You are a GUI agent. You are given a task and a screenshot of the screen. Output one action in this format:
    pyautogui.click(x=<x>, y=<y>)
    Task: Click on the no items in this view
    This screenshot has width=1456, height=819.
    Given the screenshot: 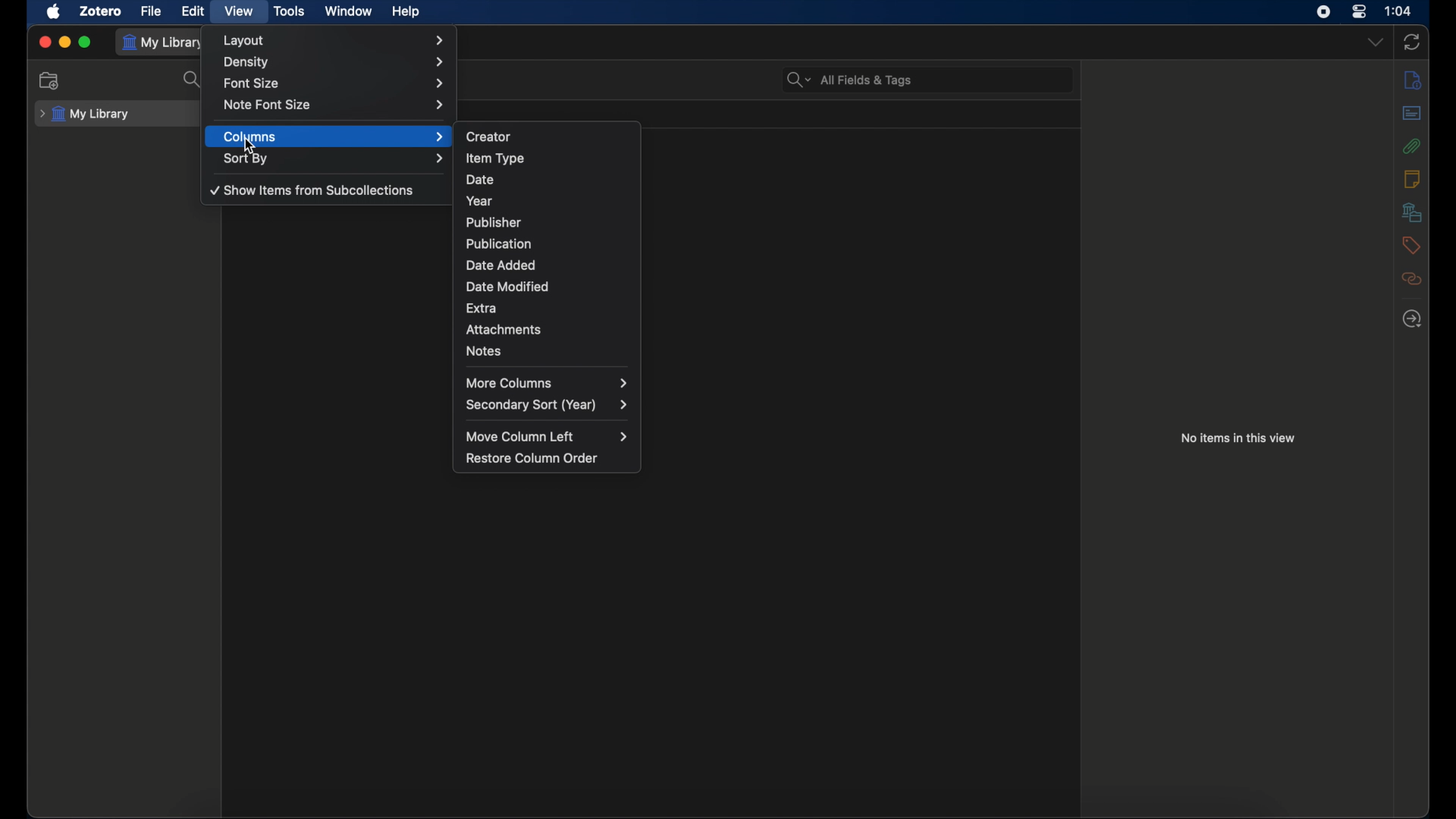 What is the action you would take?
    pyautogui.click(x=1238, y=437)
    